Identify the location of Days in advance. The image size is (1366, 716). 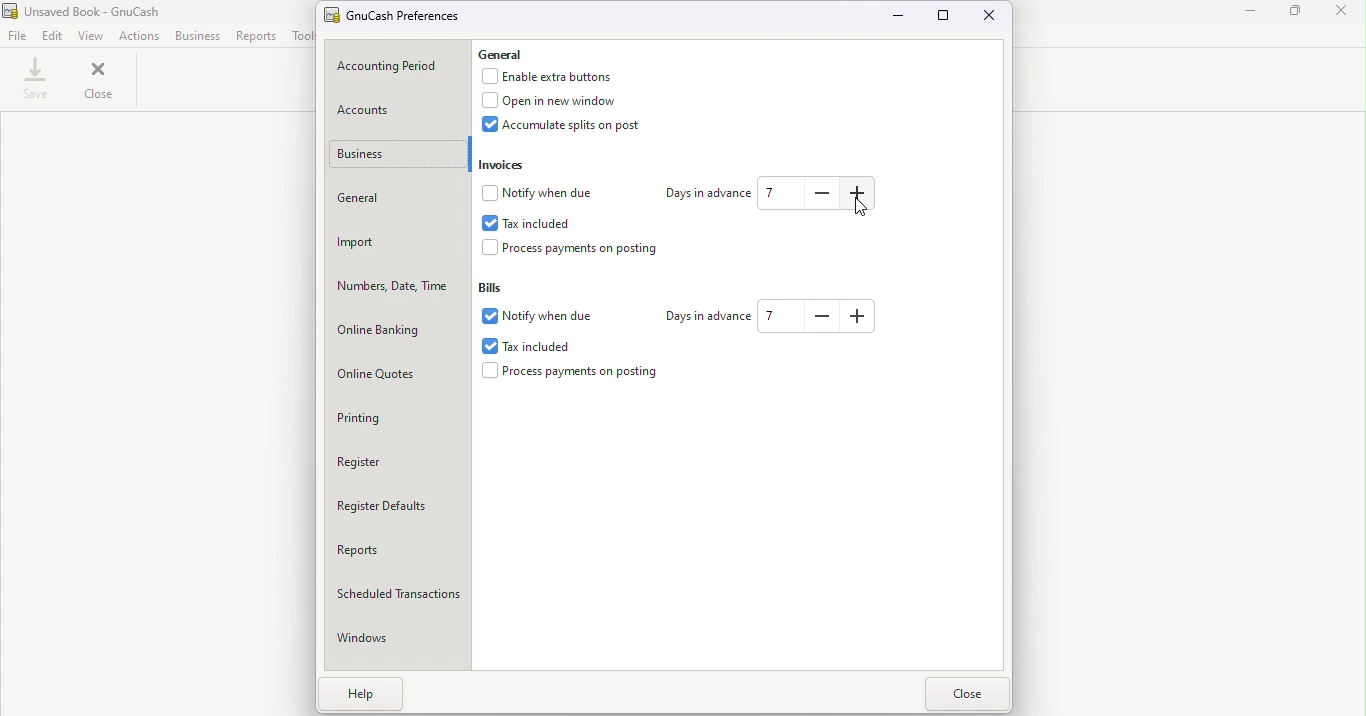
(705, 315).